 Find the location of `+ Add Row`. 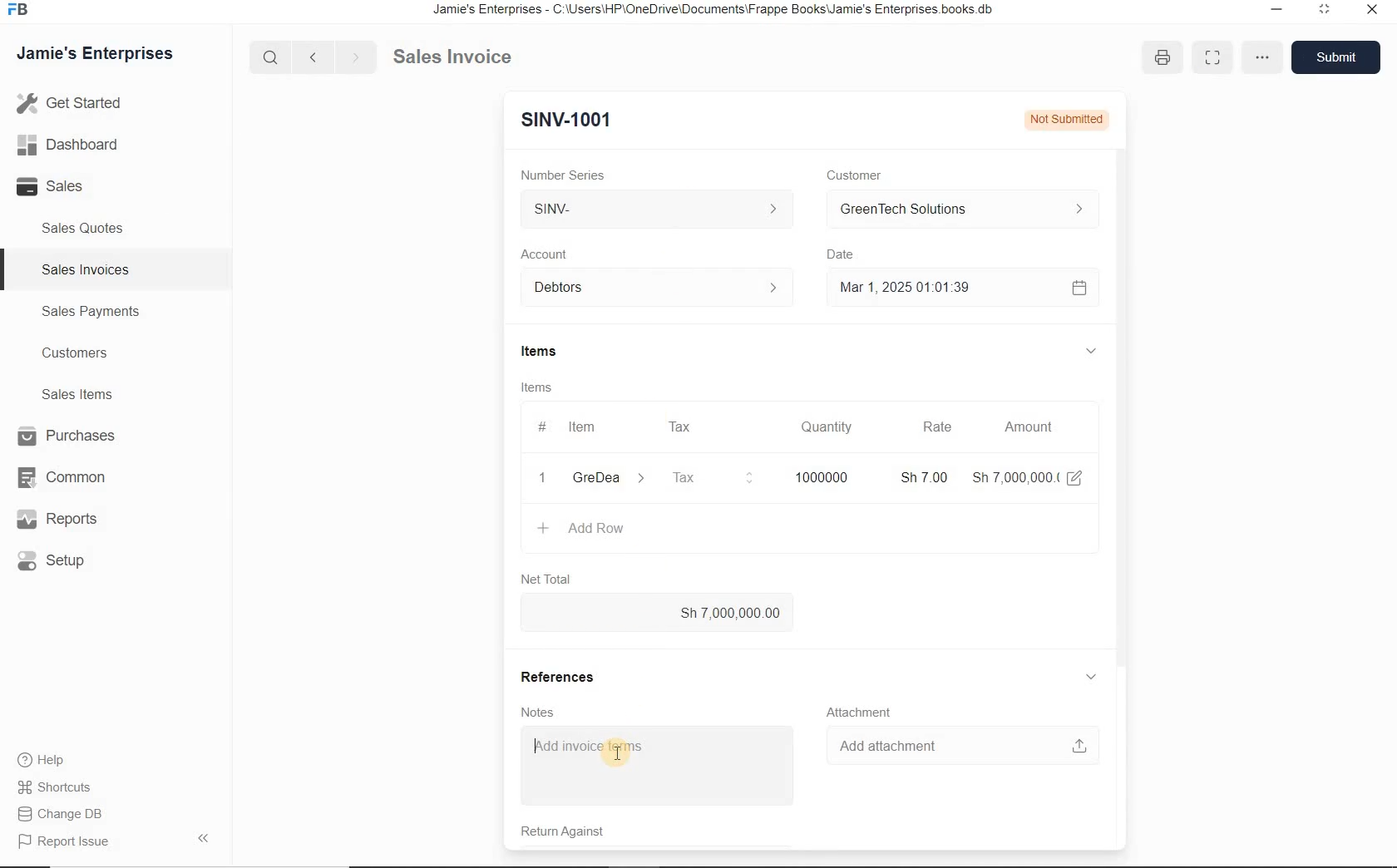

+ Add Row is located at coordinates (581, 530).